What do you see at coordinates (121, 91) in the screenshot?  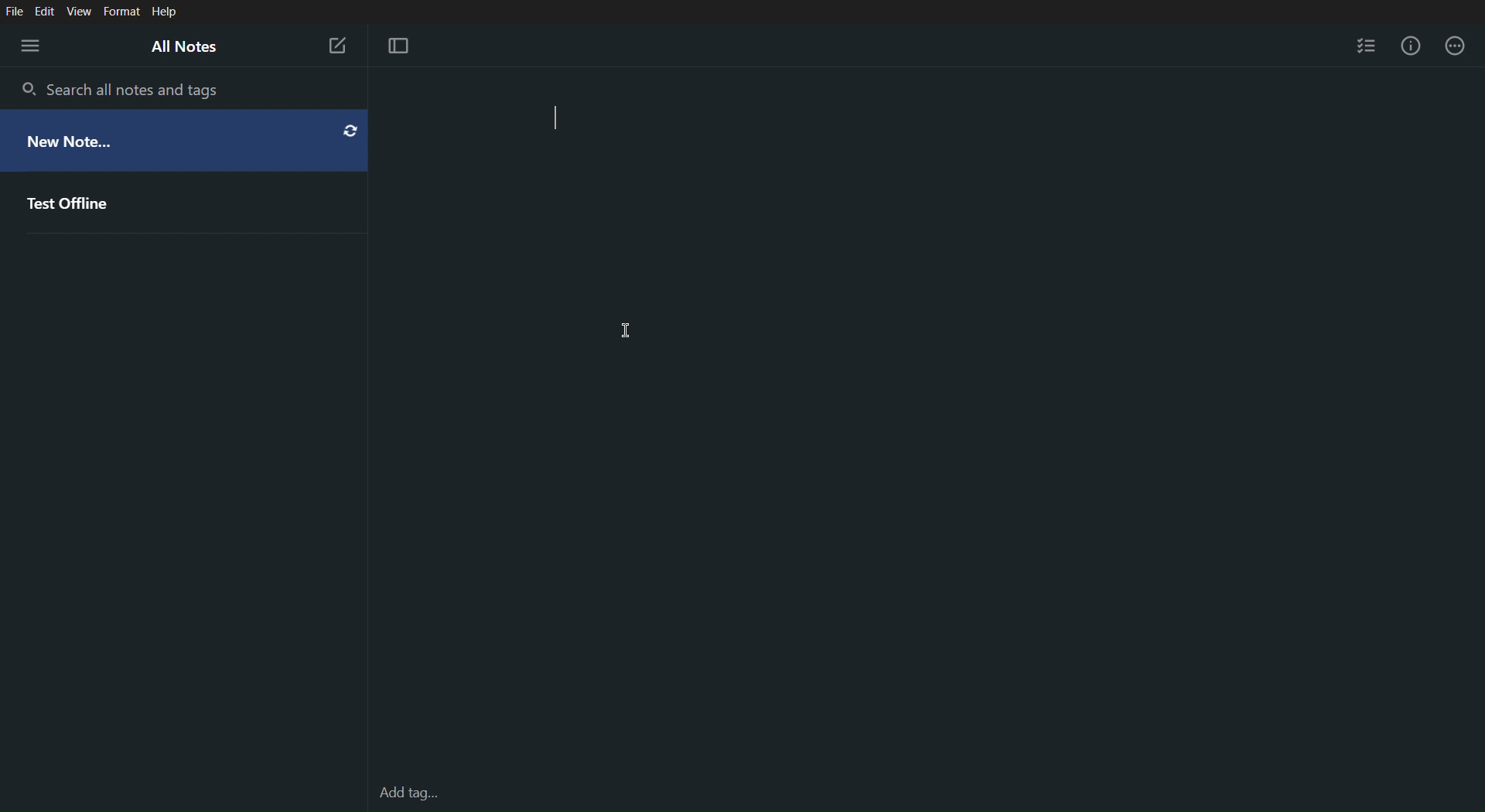 I see `Search all notes and tags` at bounding box center [121, 91].